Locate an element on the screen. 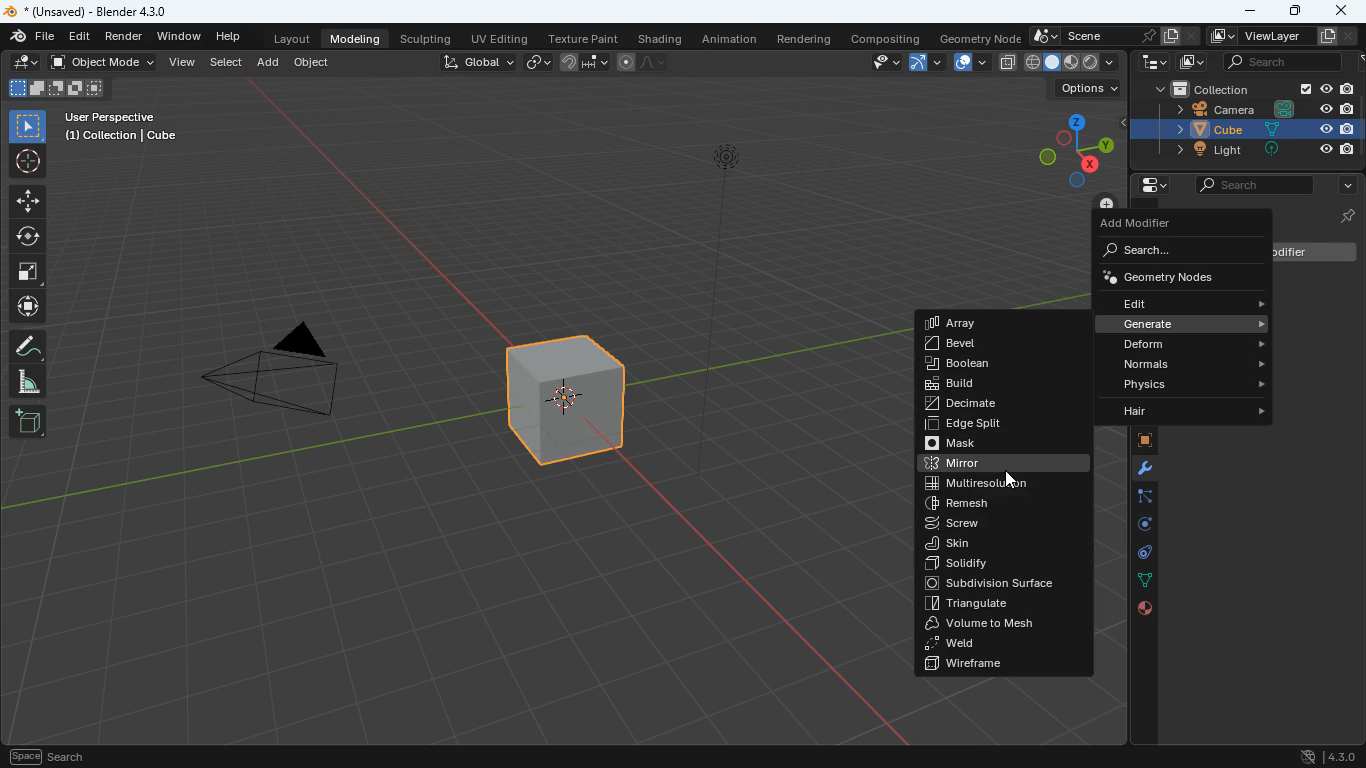 This screenshot has height=768, width=1366. window is located at coordinates (181, 37).